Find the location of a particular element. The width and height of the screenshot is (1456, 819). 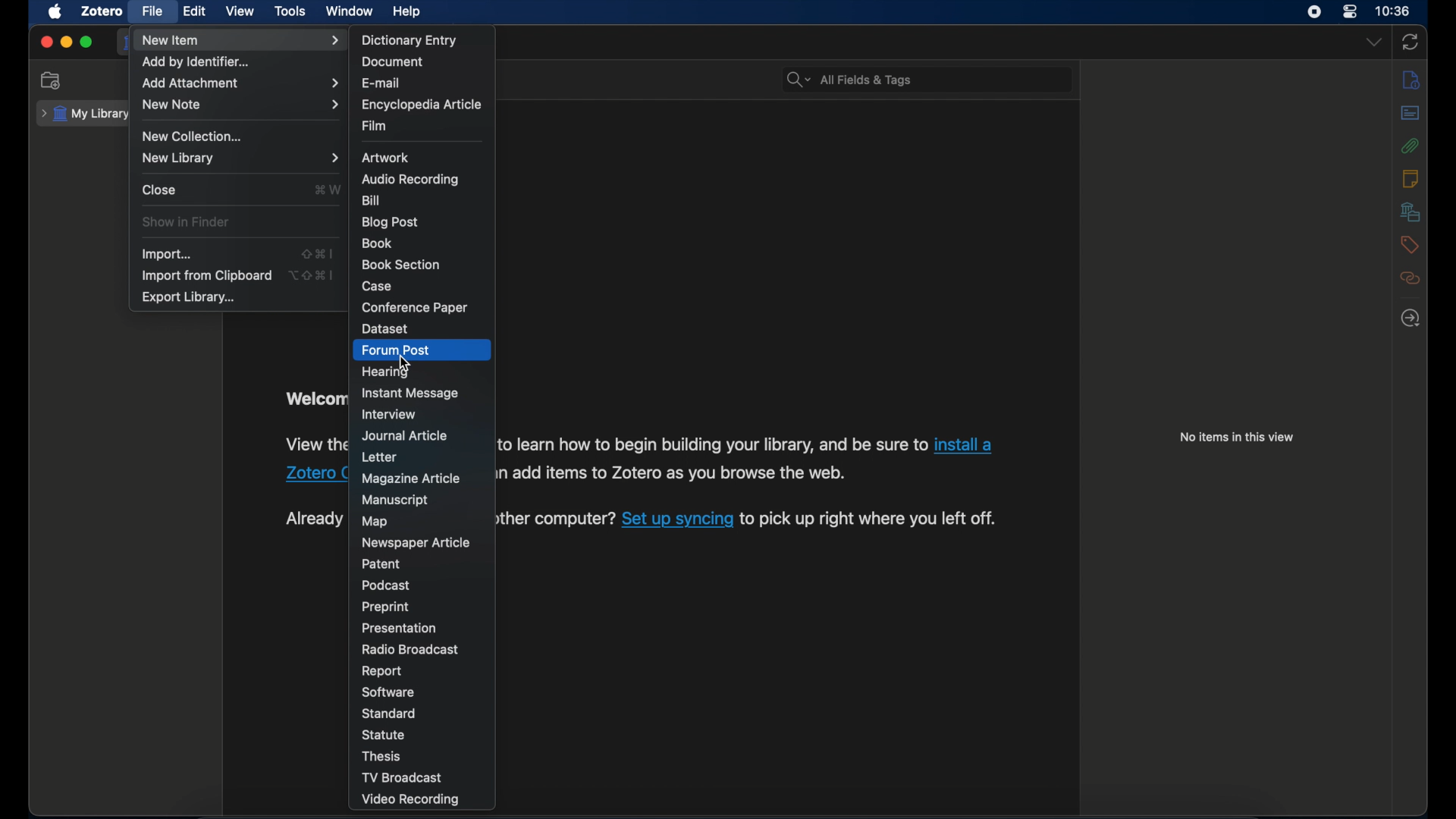

forum post is located at coordinates (396, 350).